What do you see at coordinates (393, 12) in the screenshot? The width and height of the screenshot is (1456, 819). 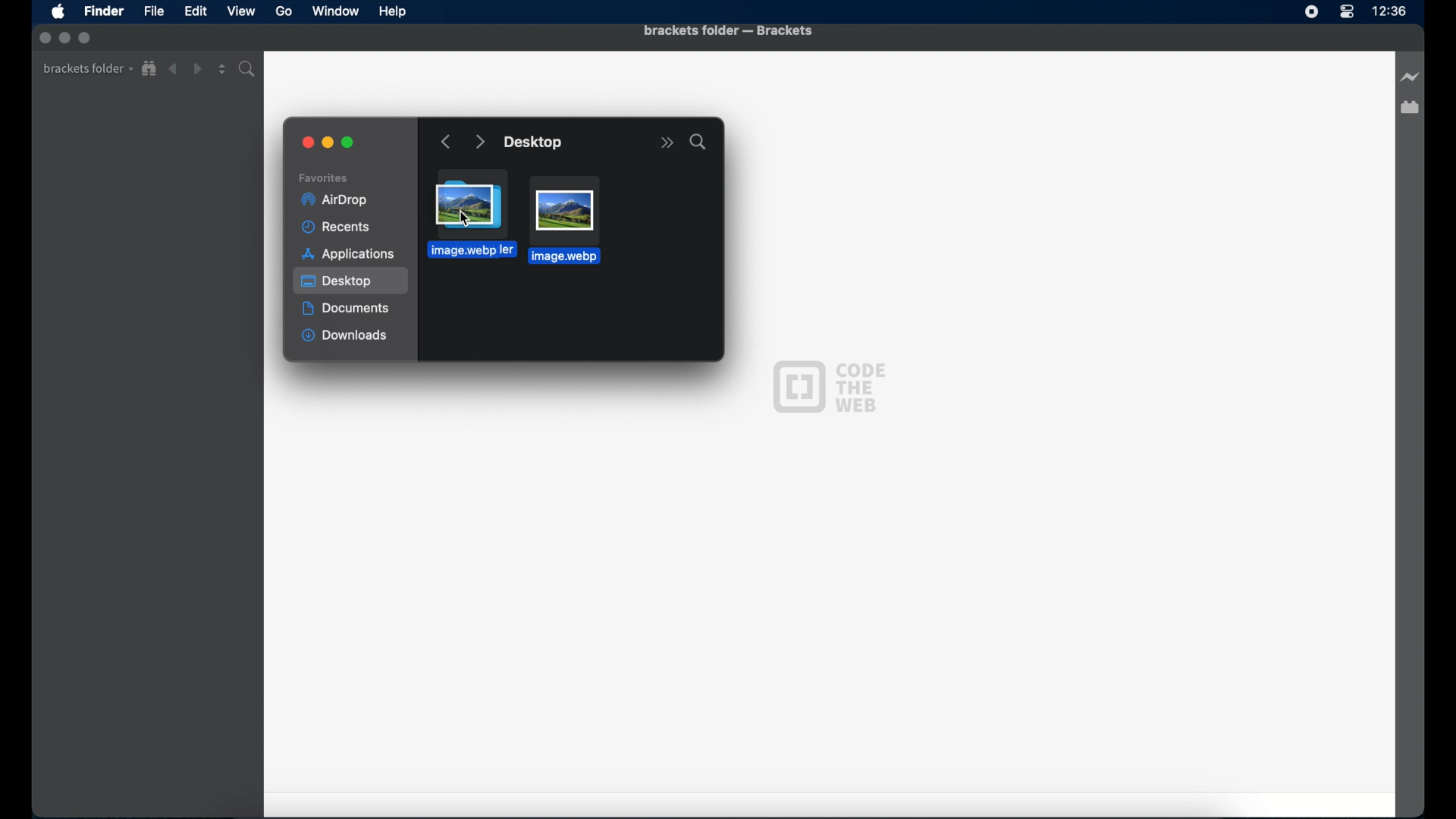 I see `Help` at bounding box center [393, 12].